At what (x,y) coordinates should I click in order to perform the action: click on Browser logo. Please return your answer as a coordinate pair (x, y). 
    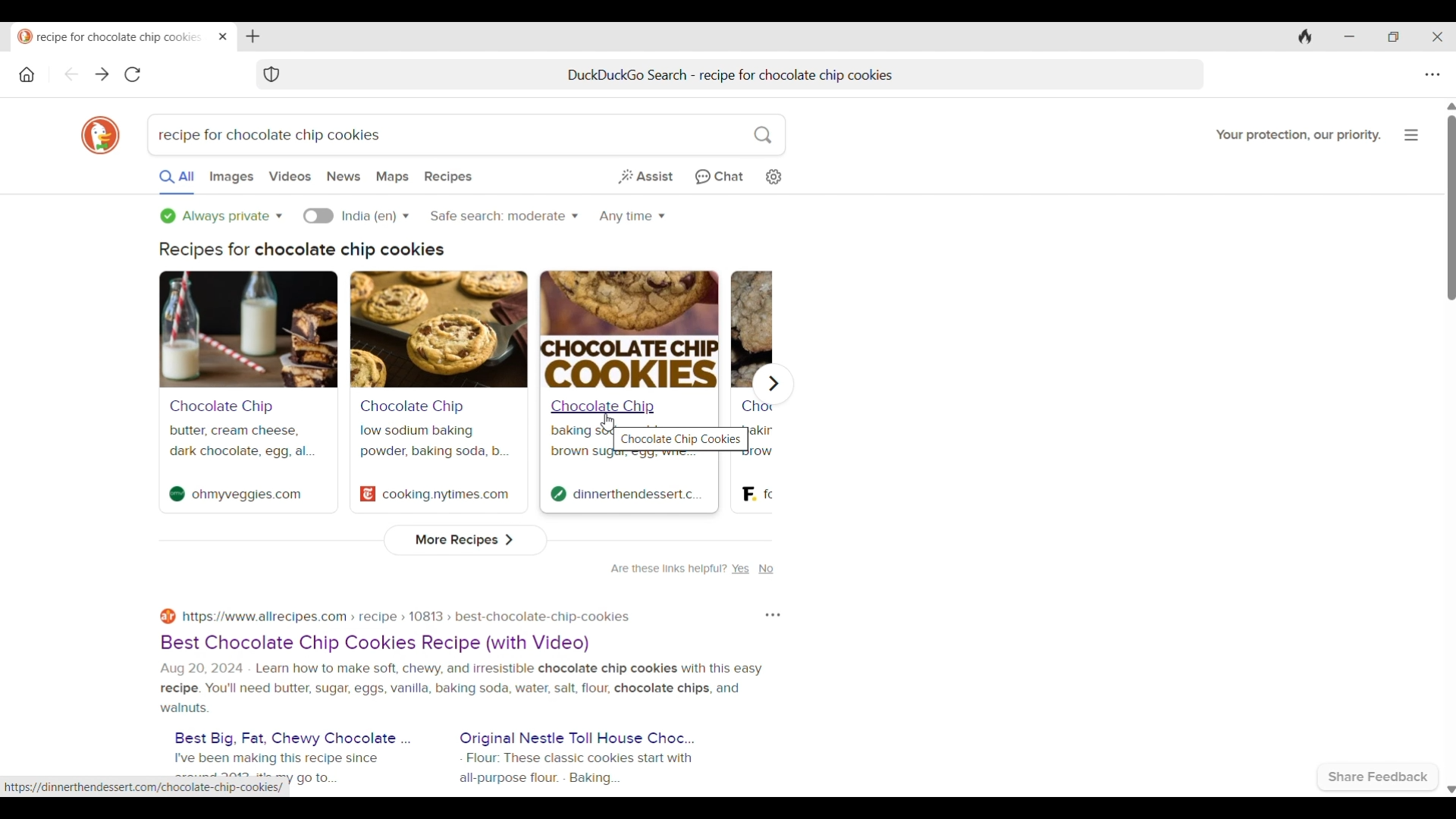
    Looking at the image, I should click on (100, 136).